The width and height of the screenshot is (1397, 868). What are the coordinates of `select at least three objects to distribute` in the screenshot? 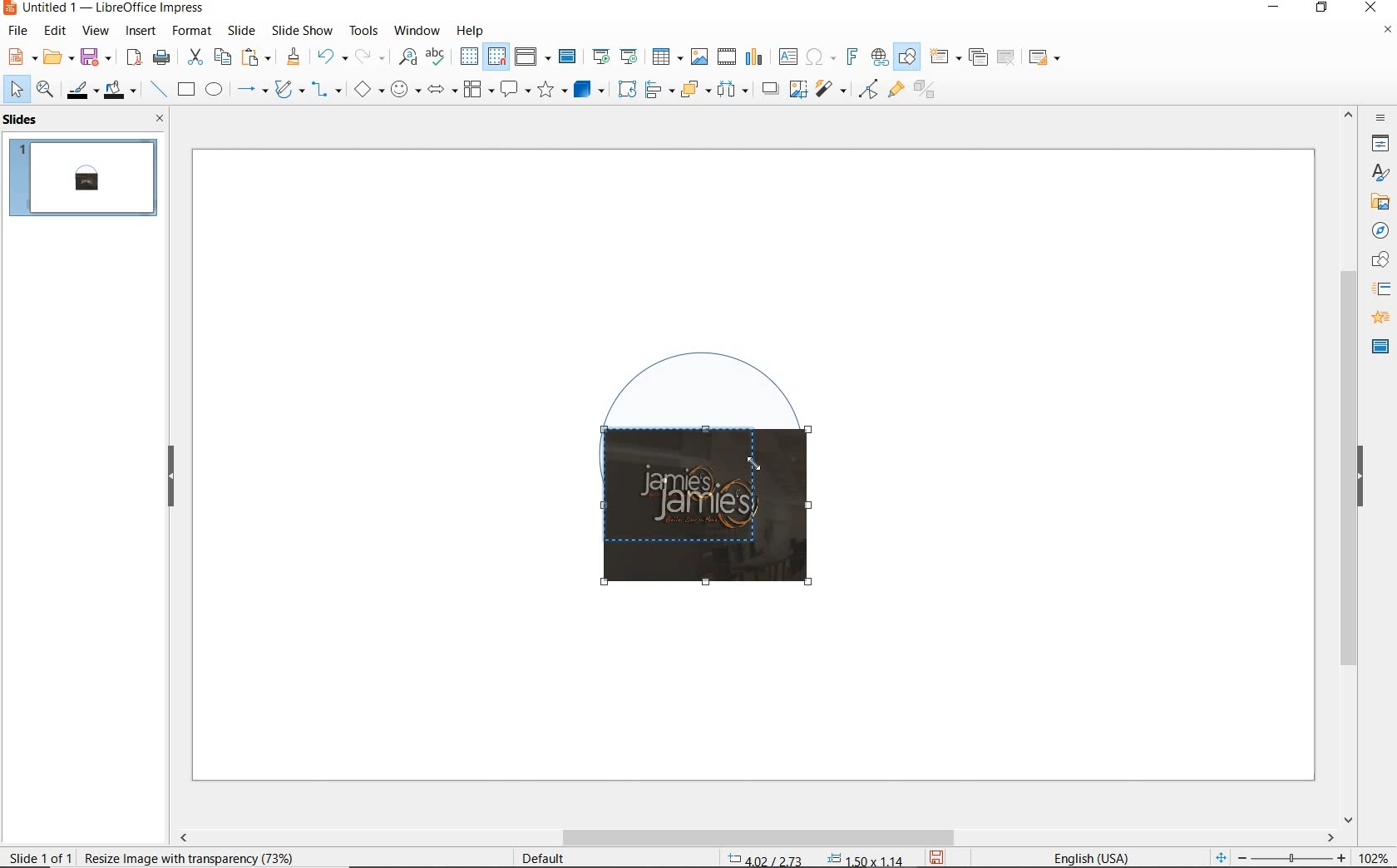 It's located at (733, 90).